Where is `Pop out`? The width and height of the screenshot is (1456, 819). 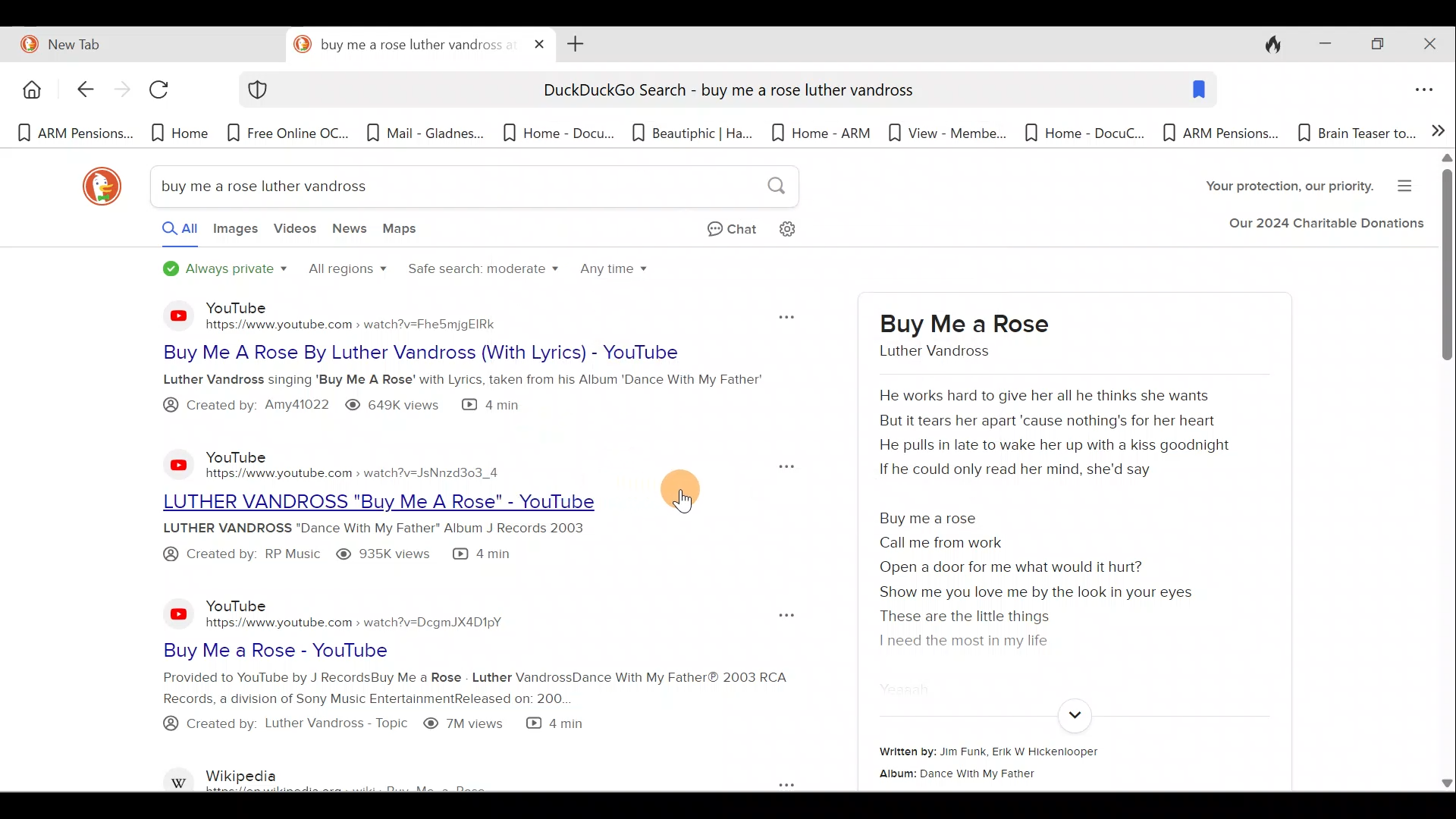
Pop out is located at coordinates (770, 783).